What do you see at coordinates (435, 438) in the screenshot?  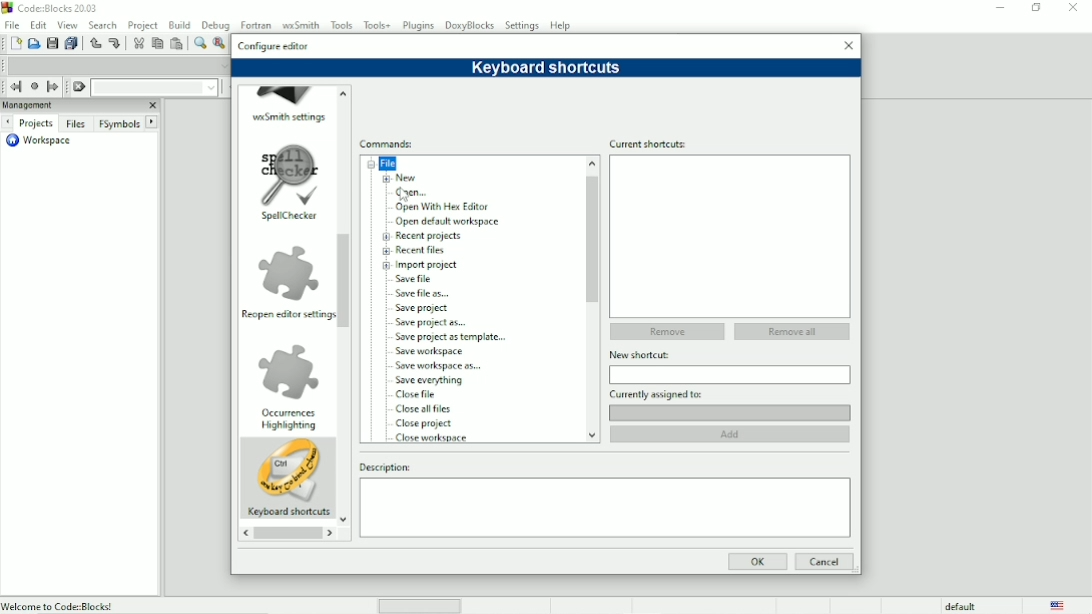 I see `Close workspace` at bounding box center [435, 438].